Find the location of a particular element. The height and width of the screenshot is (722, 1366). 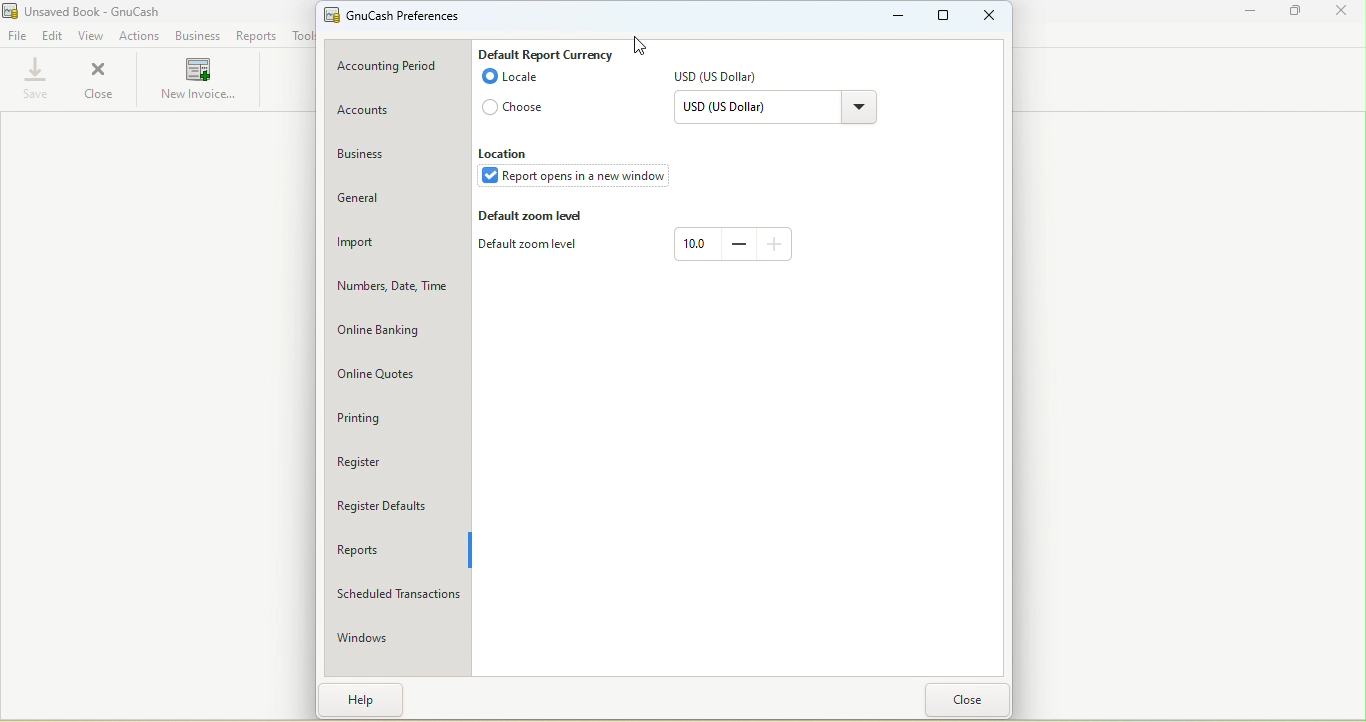

Default report currency is located at coordinates (546, 52).